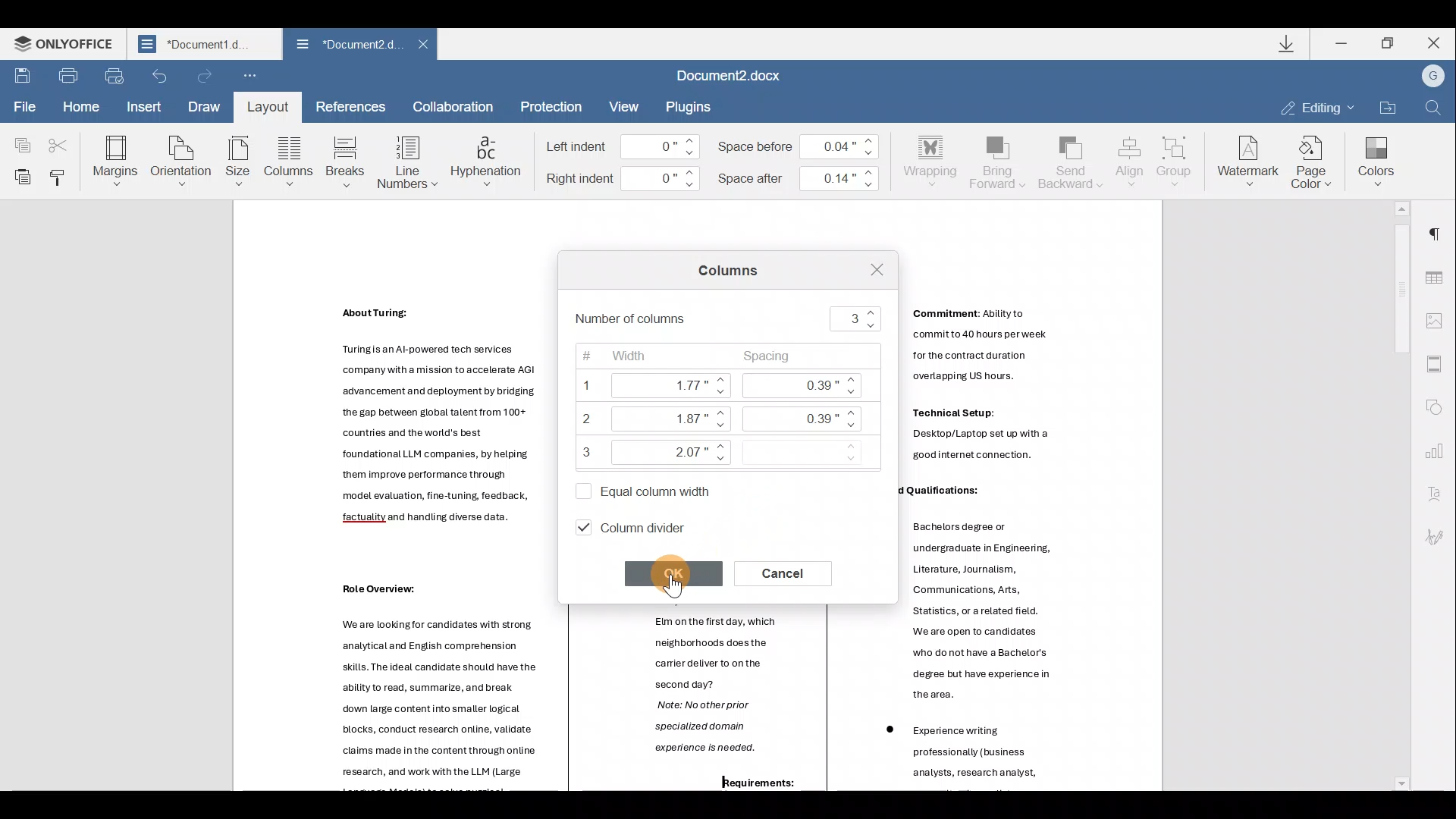 This screenshot has width=1456, height=819. Describe the element at coordinates (811, 411) in the screenshot. I see `Spacing` at that location.